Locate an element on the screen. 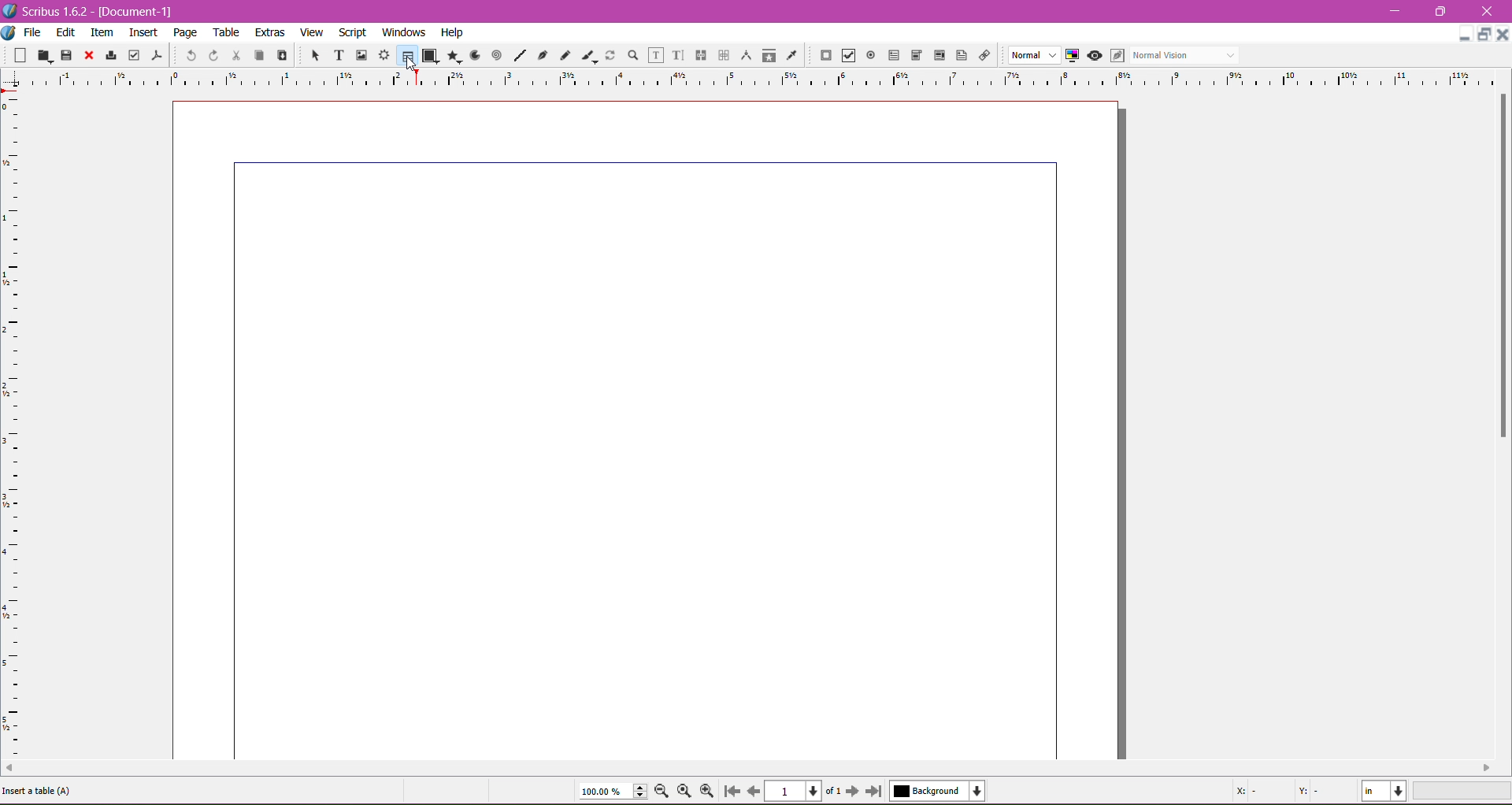 The image size is (1512, 805). Tables is located at coordinates (406, 55).